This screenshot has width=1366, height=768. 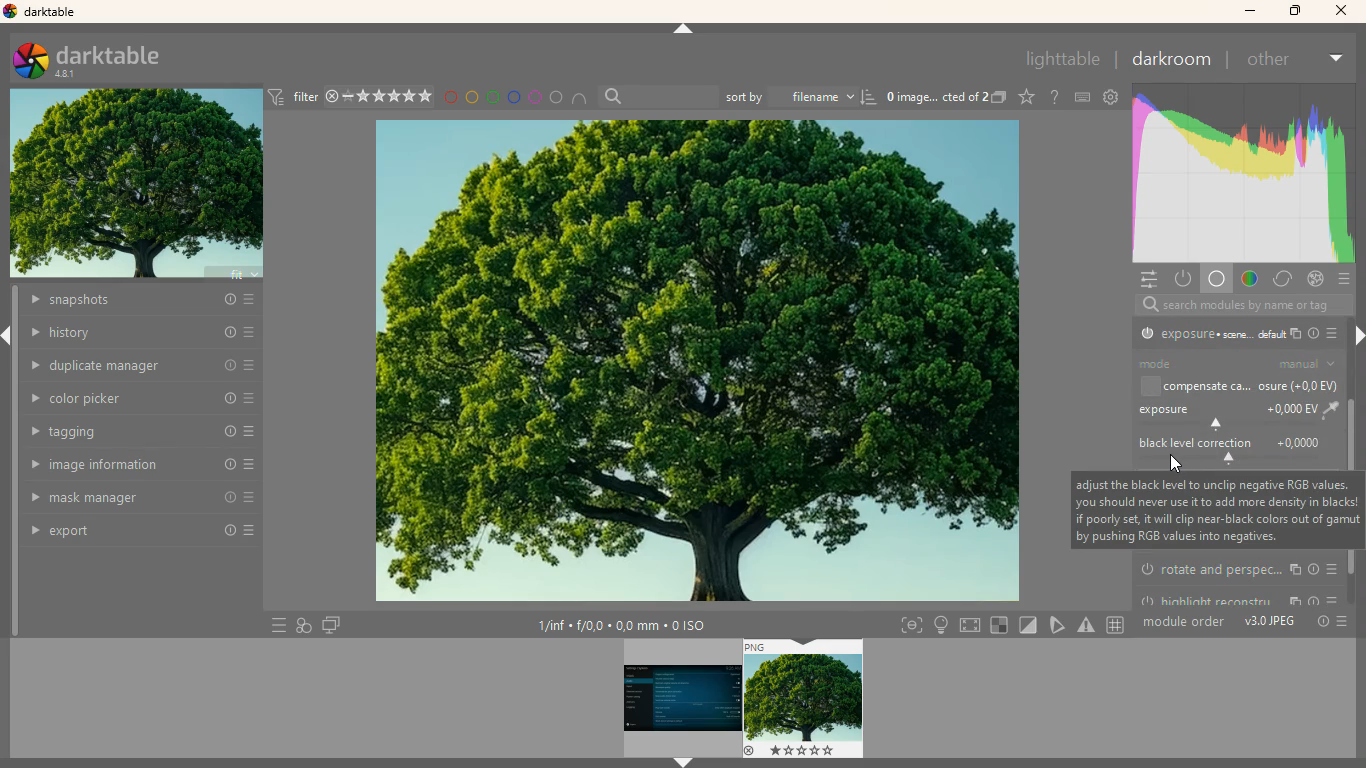 I want to click on images, so click(x=1000, y=97).